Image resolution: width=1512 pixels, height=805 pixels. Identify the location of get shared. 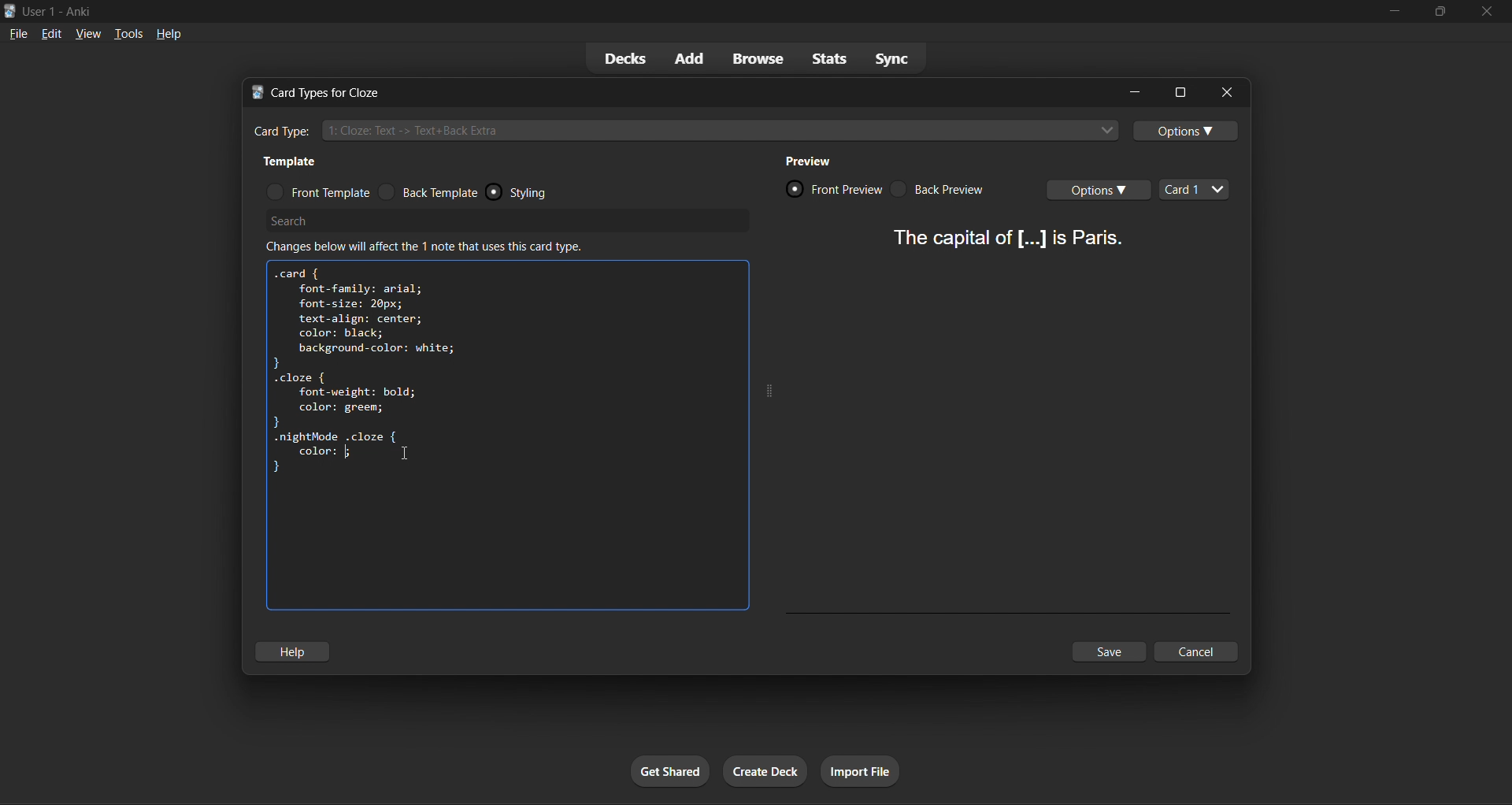
(673, 770).